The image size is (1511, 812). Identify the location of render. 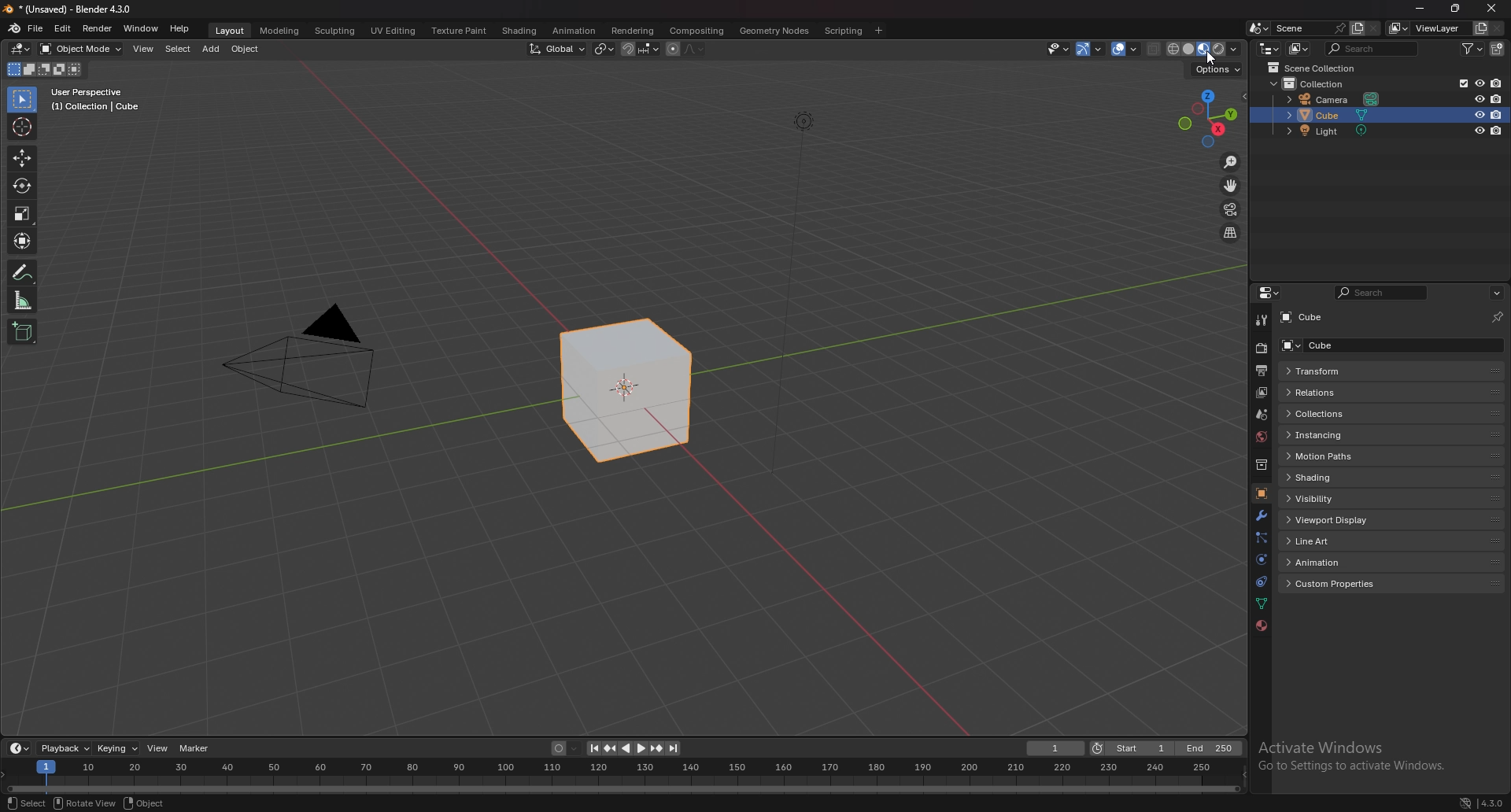
(96, 28).